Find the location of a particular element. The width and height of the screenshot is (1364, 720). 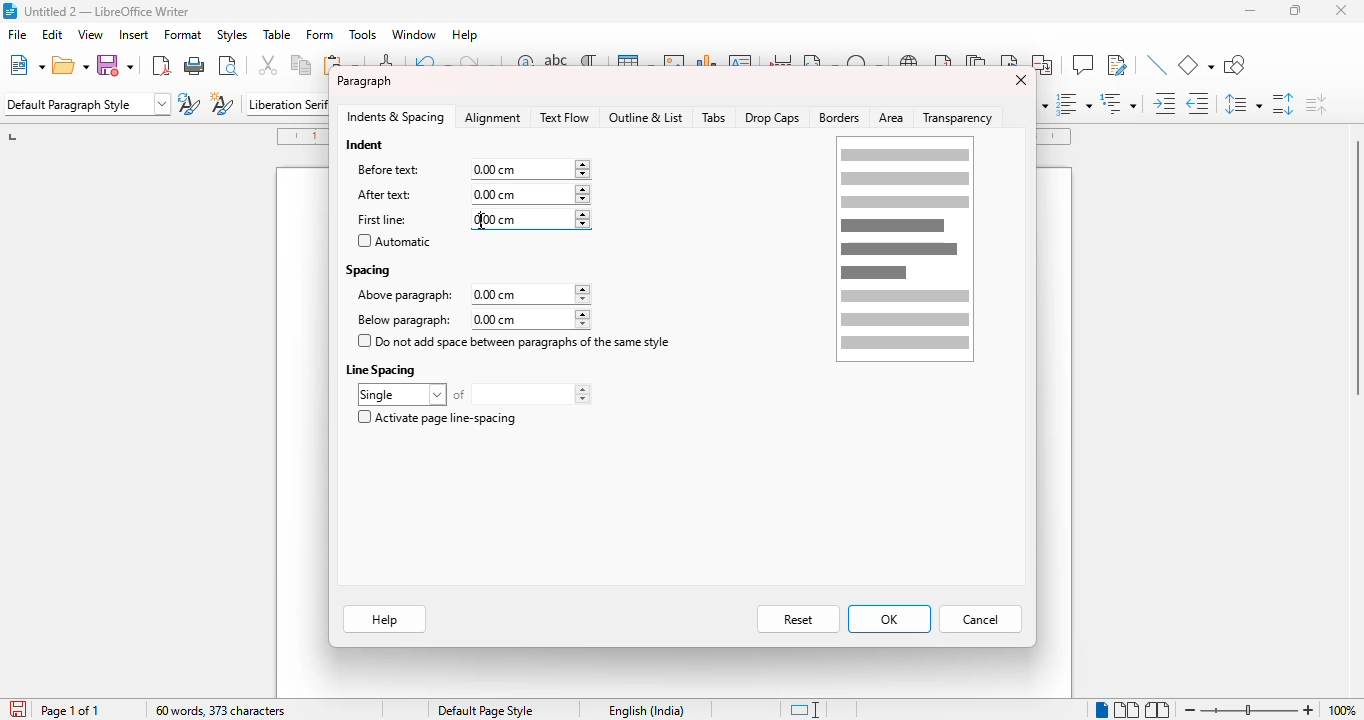

outline & list is located at coordinates (646, 117).